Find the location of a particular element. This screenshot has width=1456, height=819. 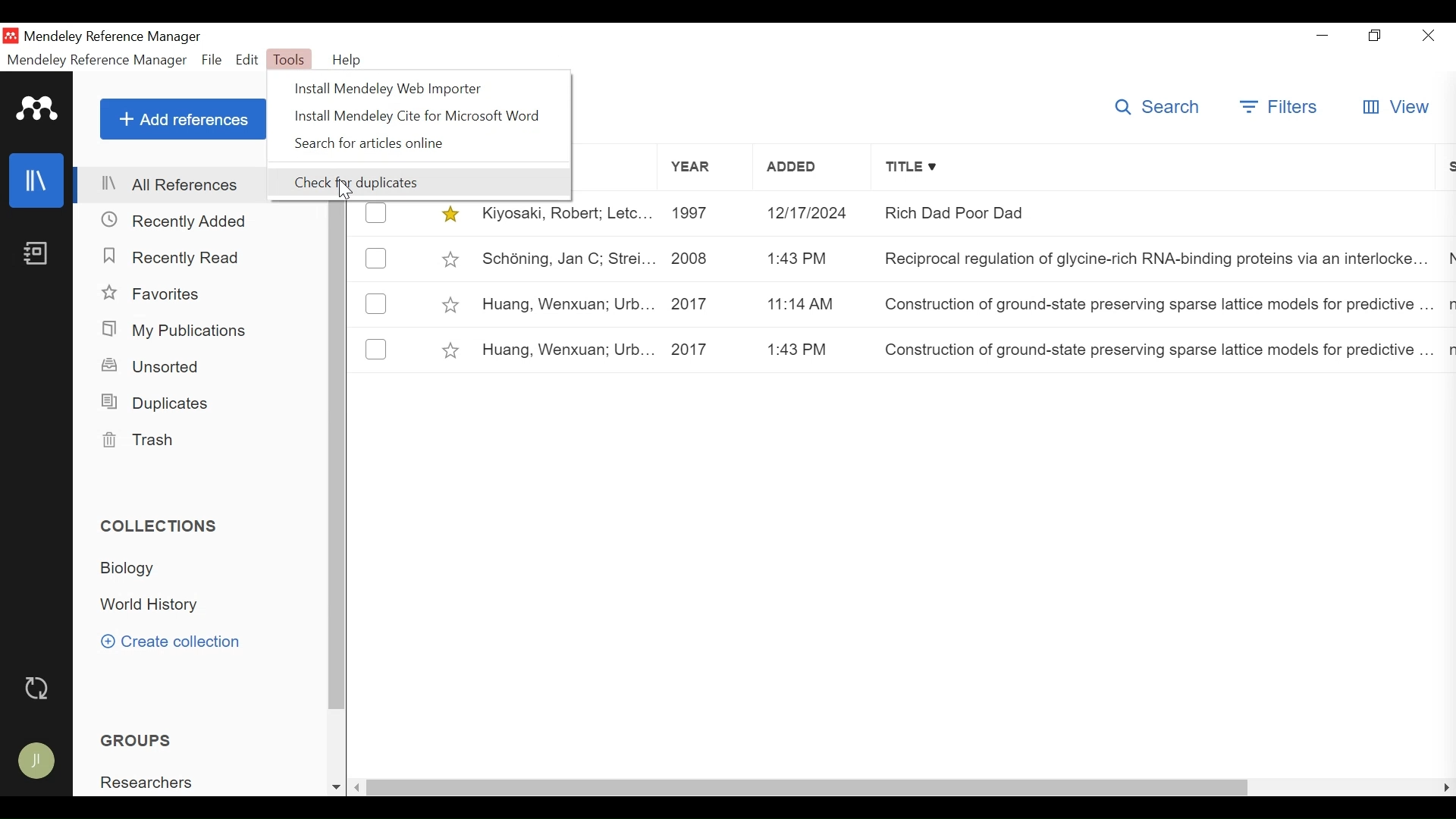

2008 is located at coordinates (708, 259).